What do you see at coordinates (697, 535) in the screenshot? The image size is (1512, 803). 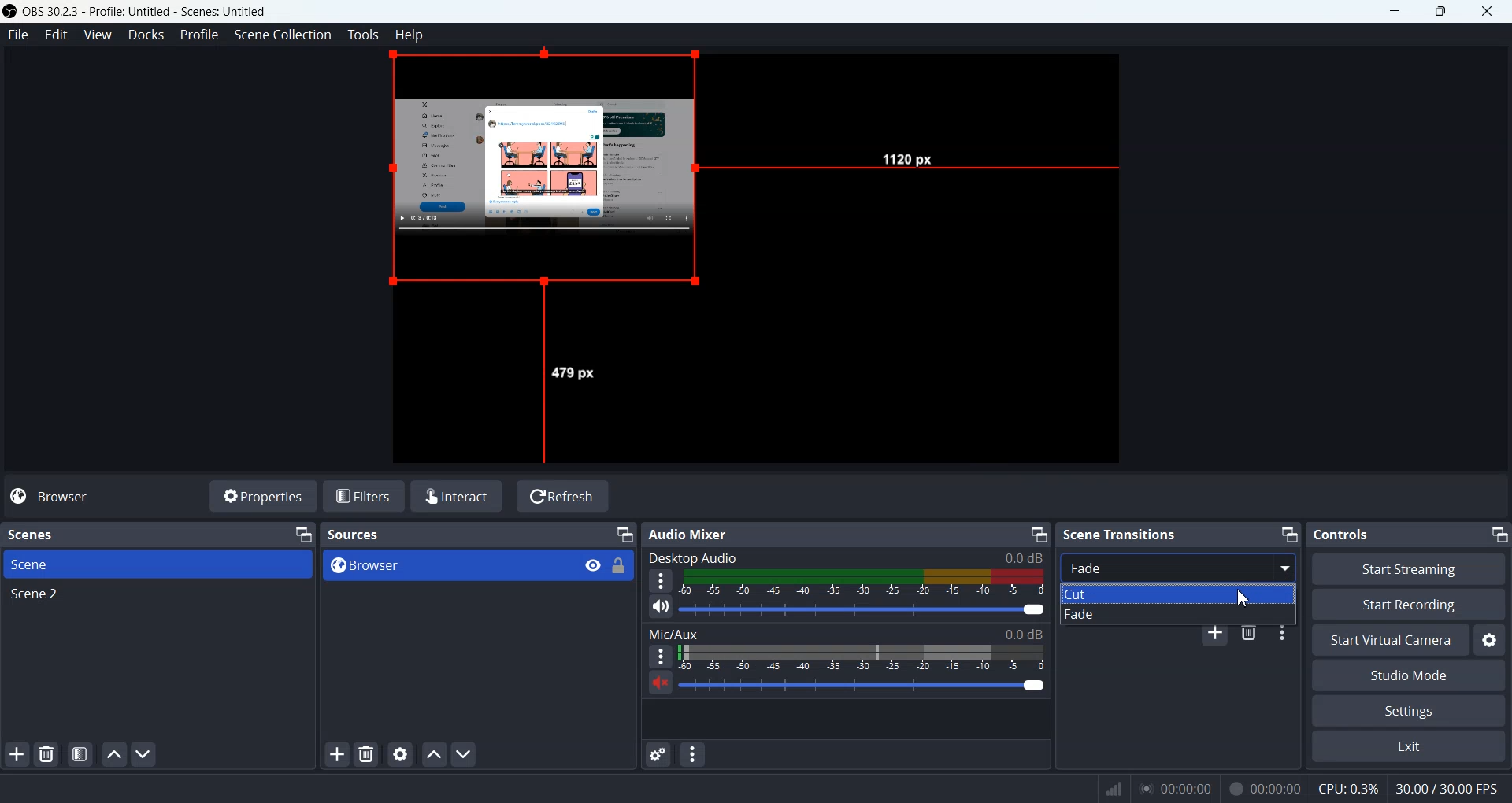 I see `Text` at bounding box center [697, 535].